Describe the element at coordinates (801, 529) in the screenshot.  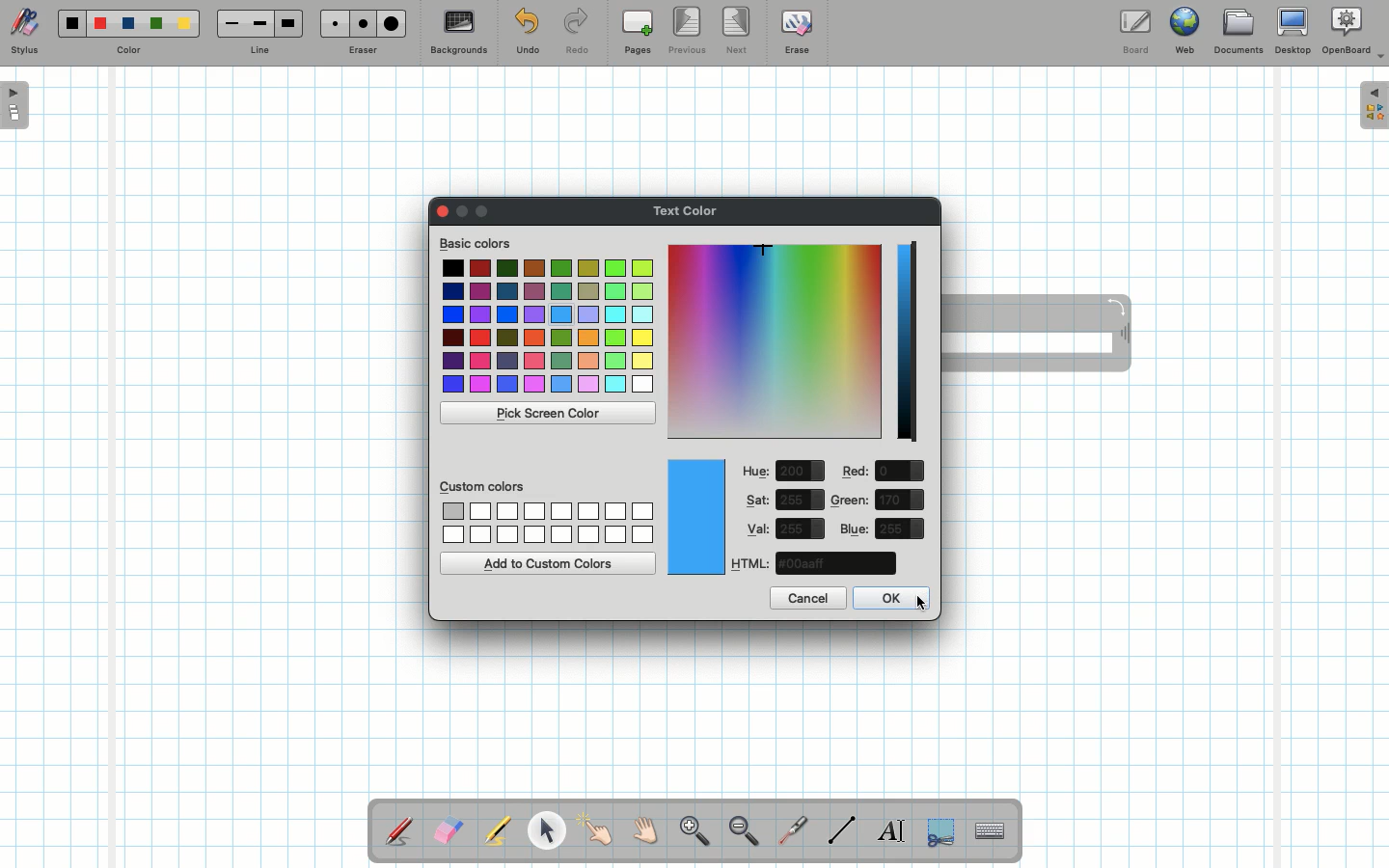
I see `value` at that location.